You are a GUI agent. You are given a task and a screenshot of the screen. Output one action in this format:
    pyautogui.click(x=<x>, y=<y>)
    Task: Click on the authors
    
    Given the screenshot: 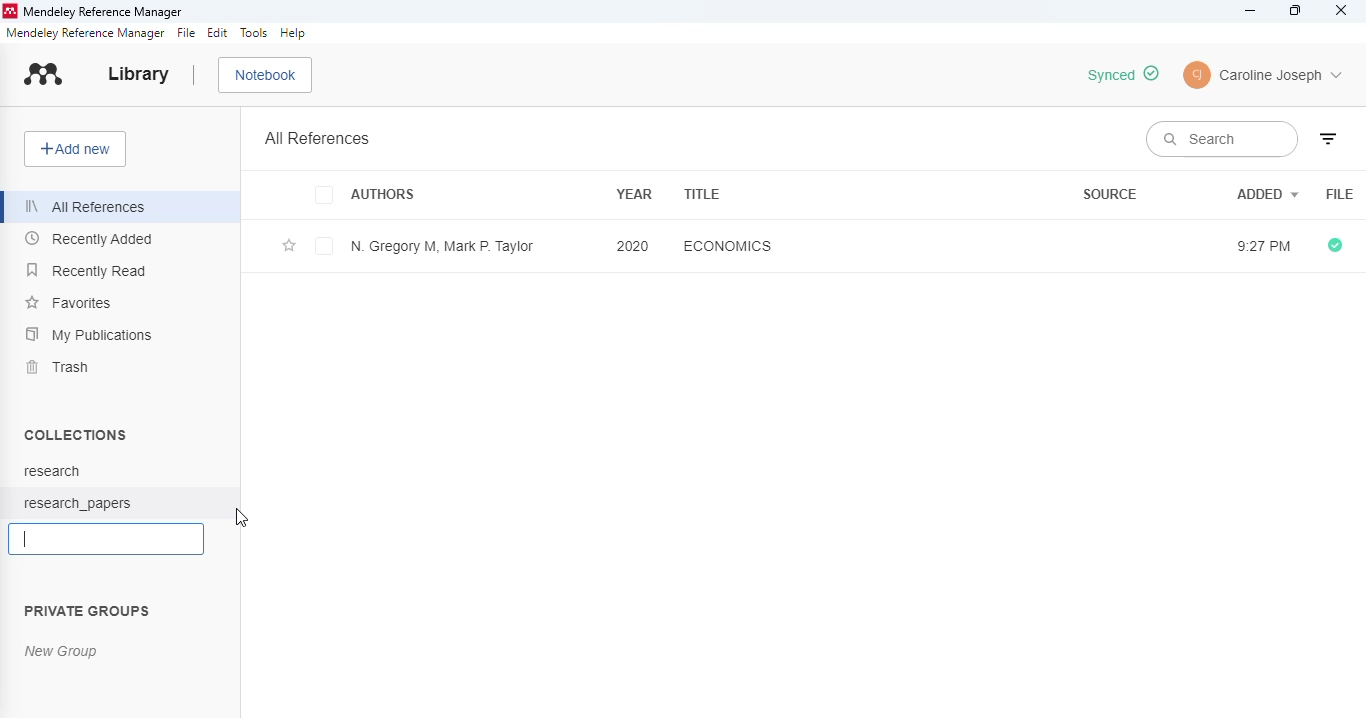 What is the action you would take?
    pyautogui.click(x=384, y=196)
    